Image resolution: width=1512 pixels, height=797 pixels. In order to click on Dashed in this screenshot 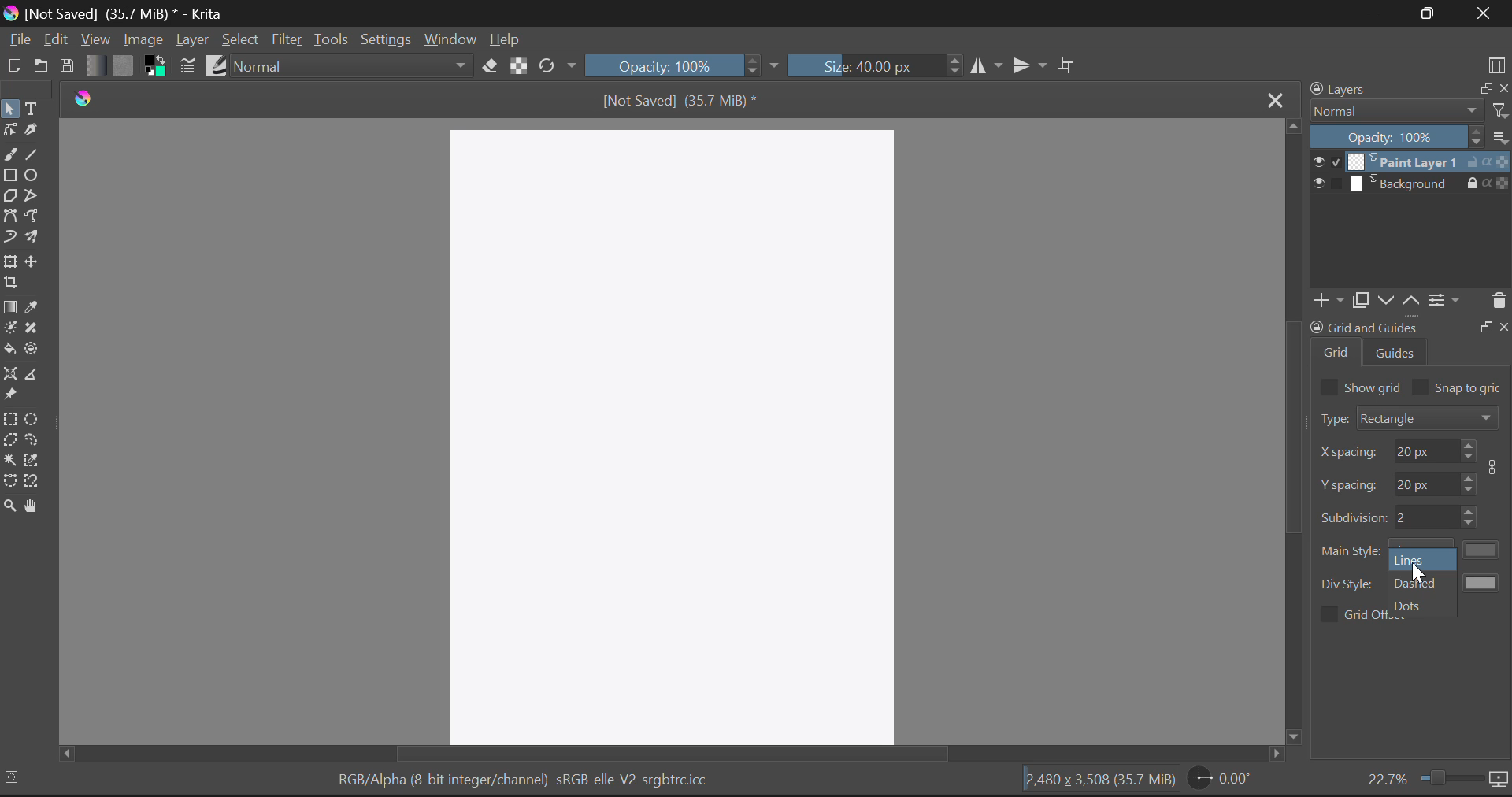, I will do `click(1417, 583)`.